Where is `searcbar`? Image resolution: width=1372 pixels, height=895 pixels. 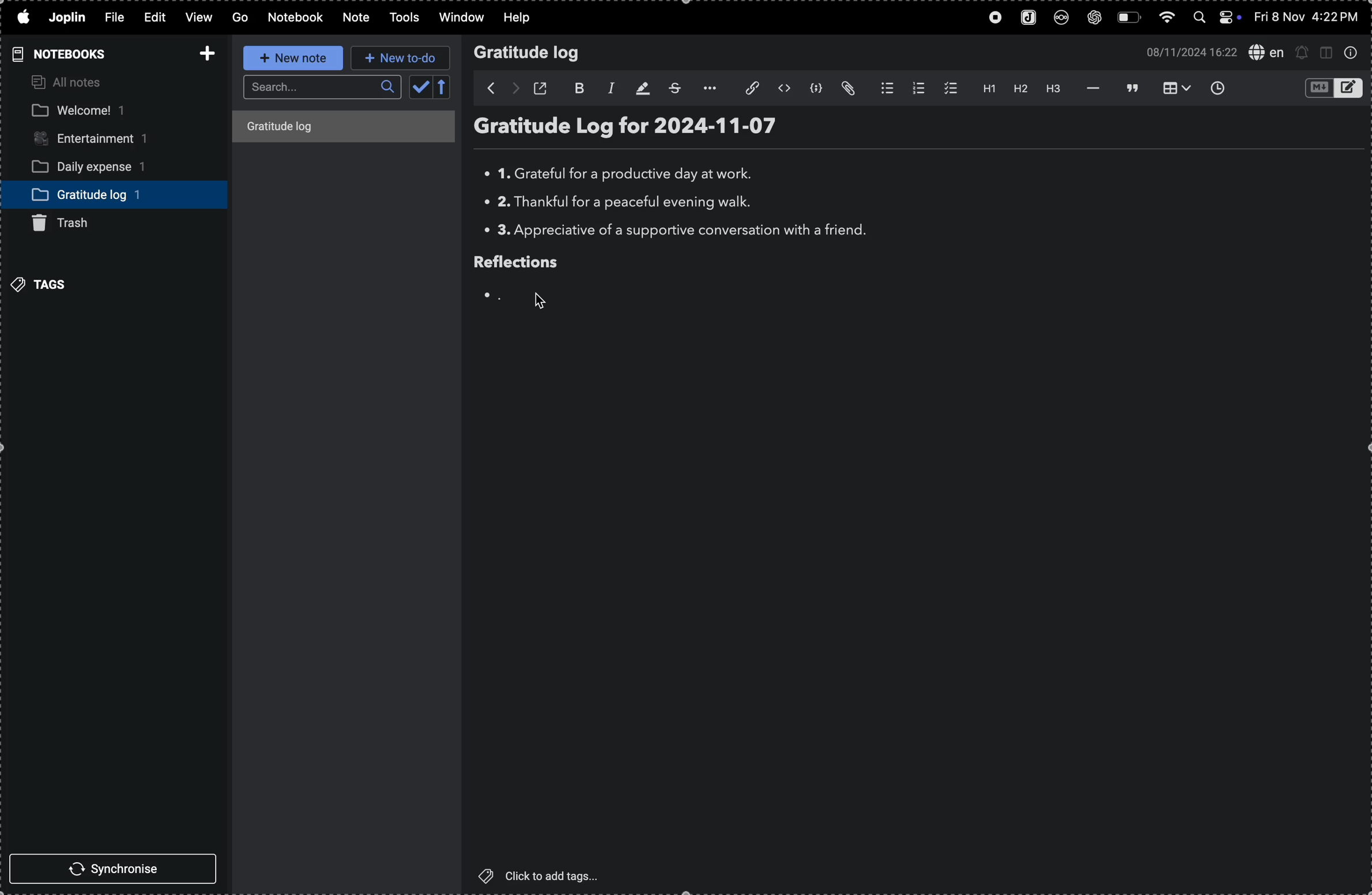
searcbar is located at coordinates (323, 87).